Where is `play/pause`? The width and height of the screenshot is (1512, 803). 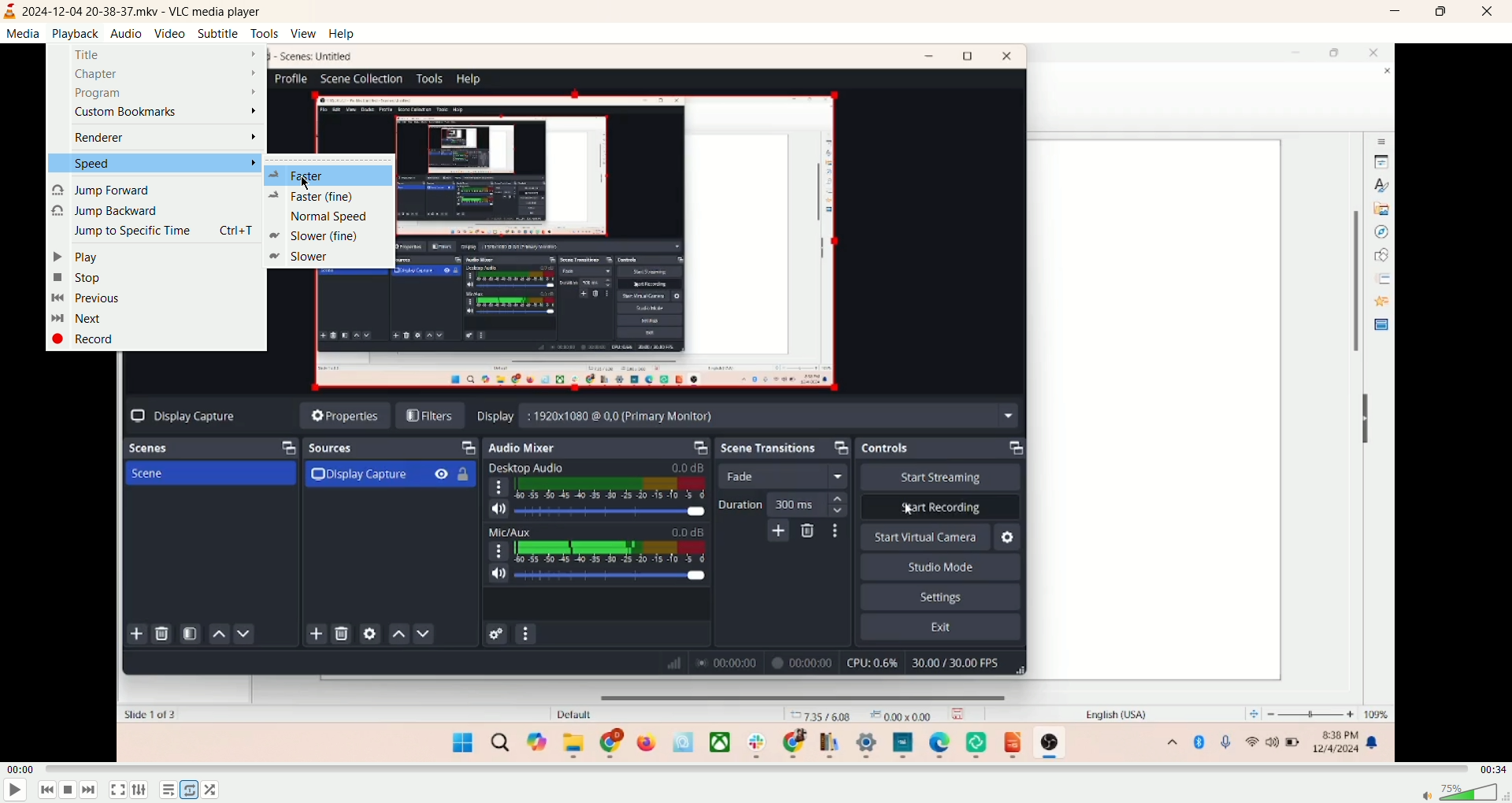 play/pause is located at coordinates (16, 792).